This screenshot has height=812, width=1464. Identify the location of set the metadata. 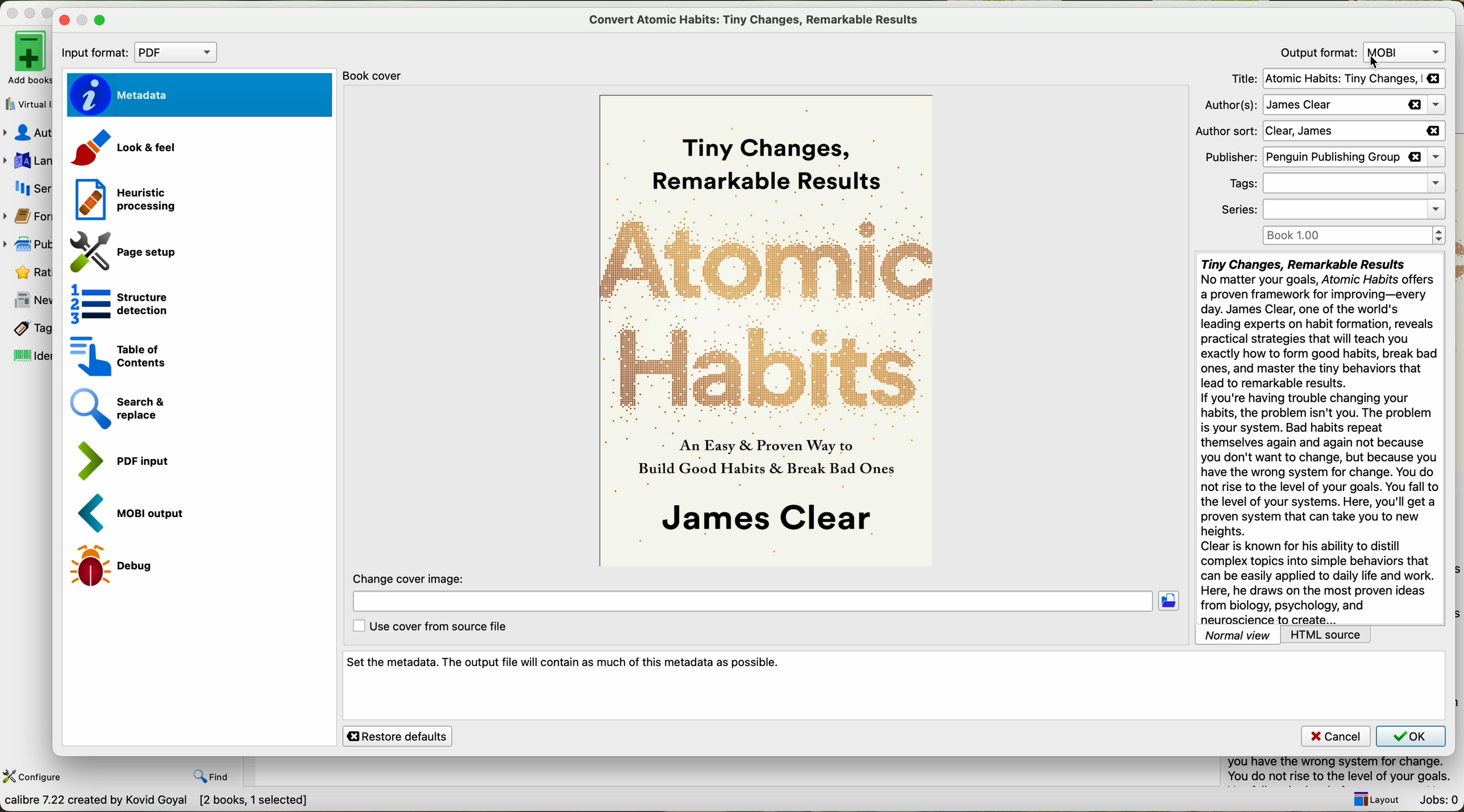
(894, 686).